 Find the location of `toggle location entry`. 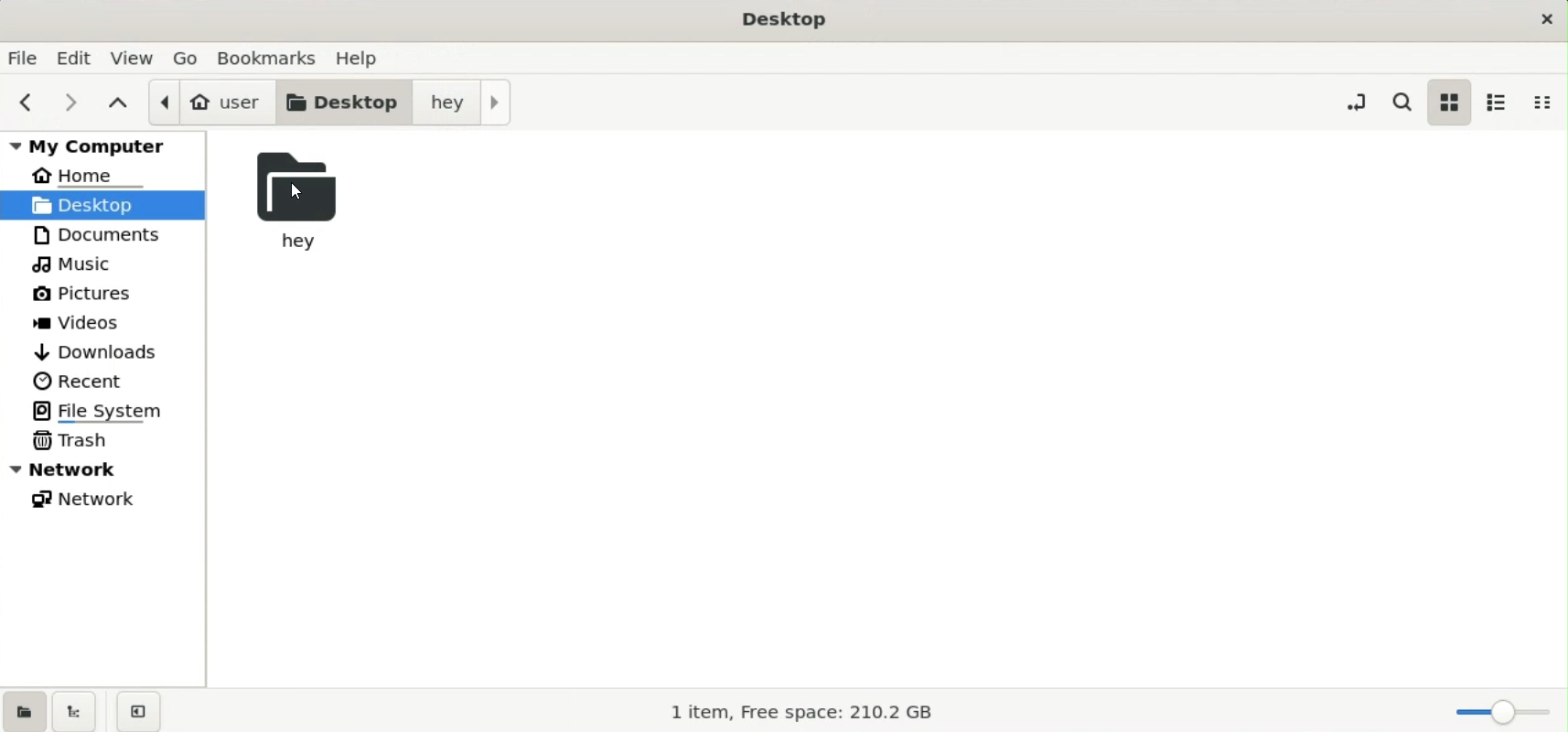

toggle location entry is located at coordinates (1356, 101).